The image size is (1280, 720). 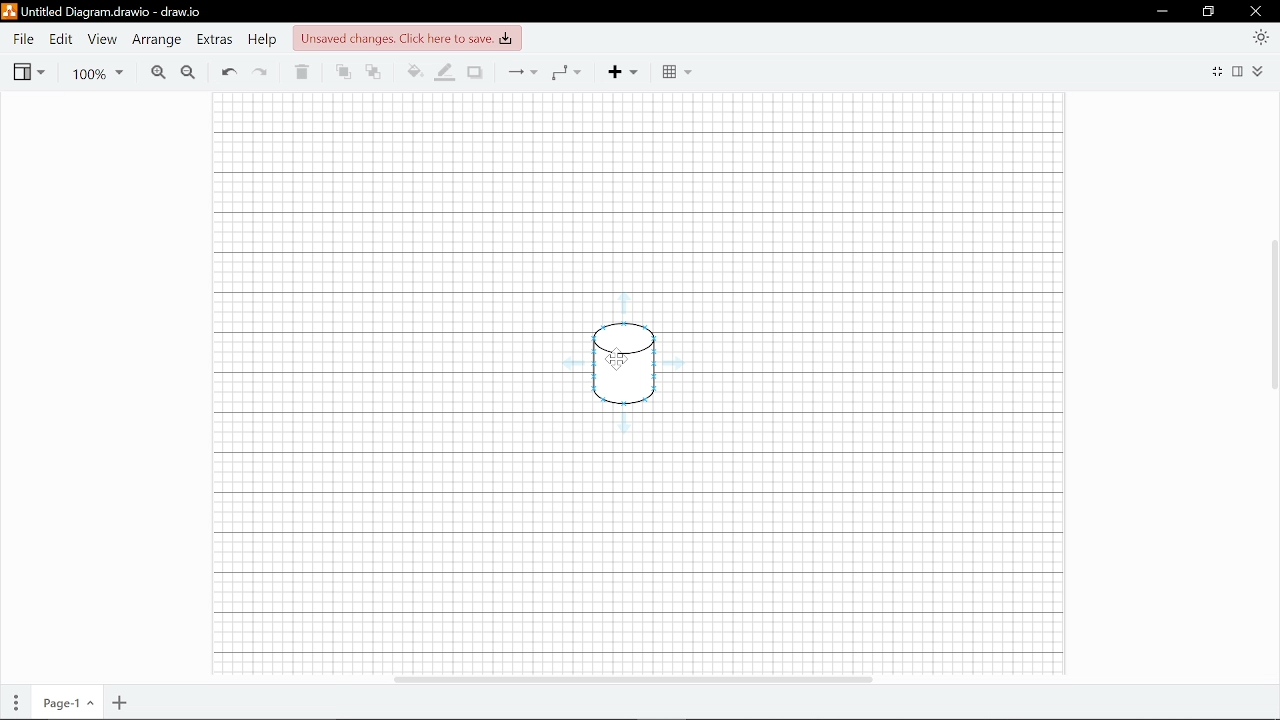 I want to click on vertical scrollbar, so click(x=1272, y=313).